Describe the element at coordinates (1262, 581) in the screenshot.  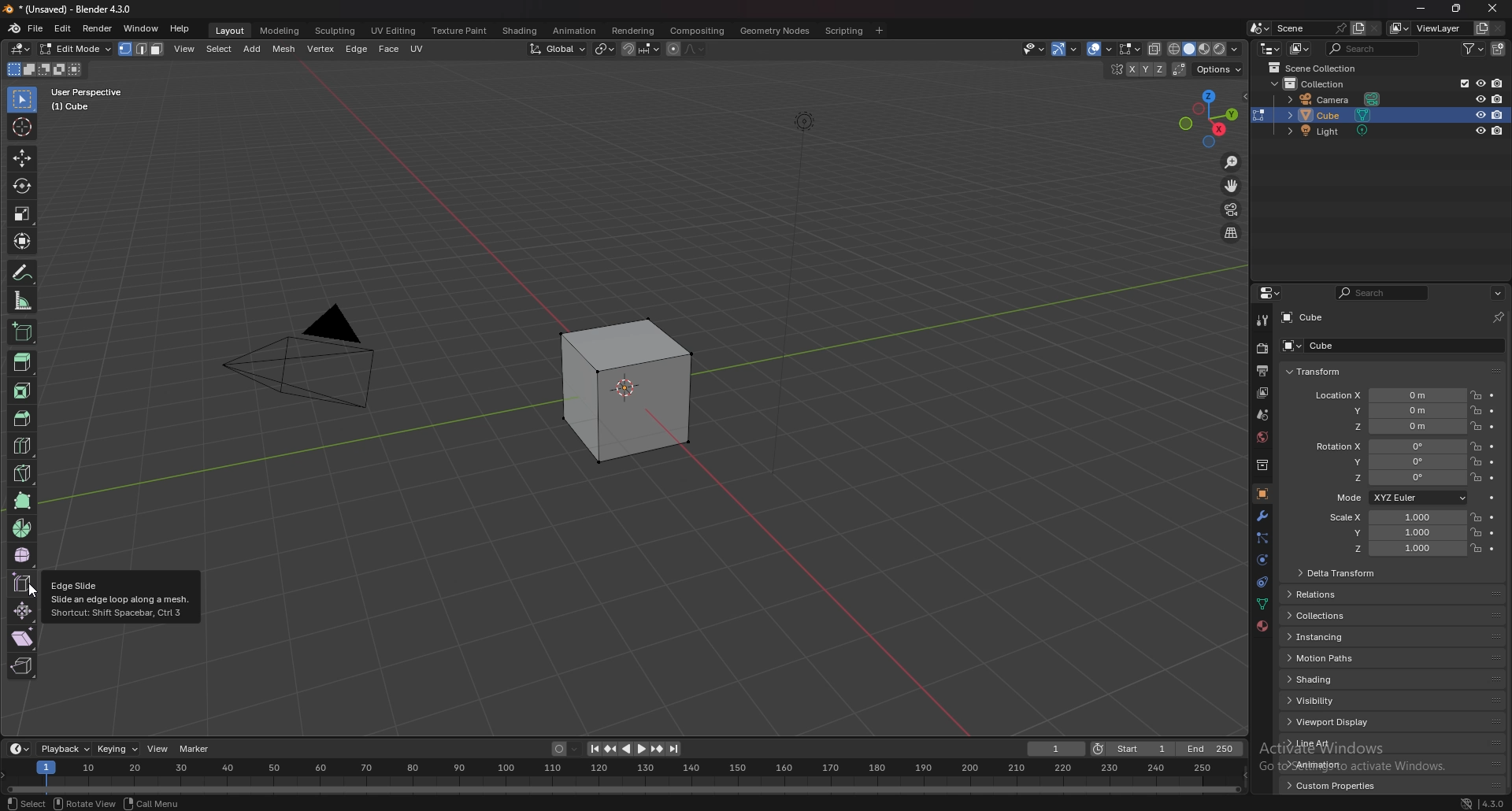
I see `constraints` at that location.